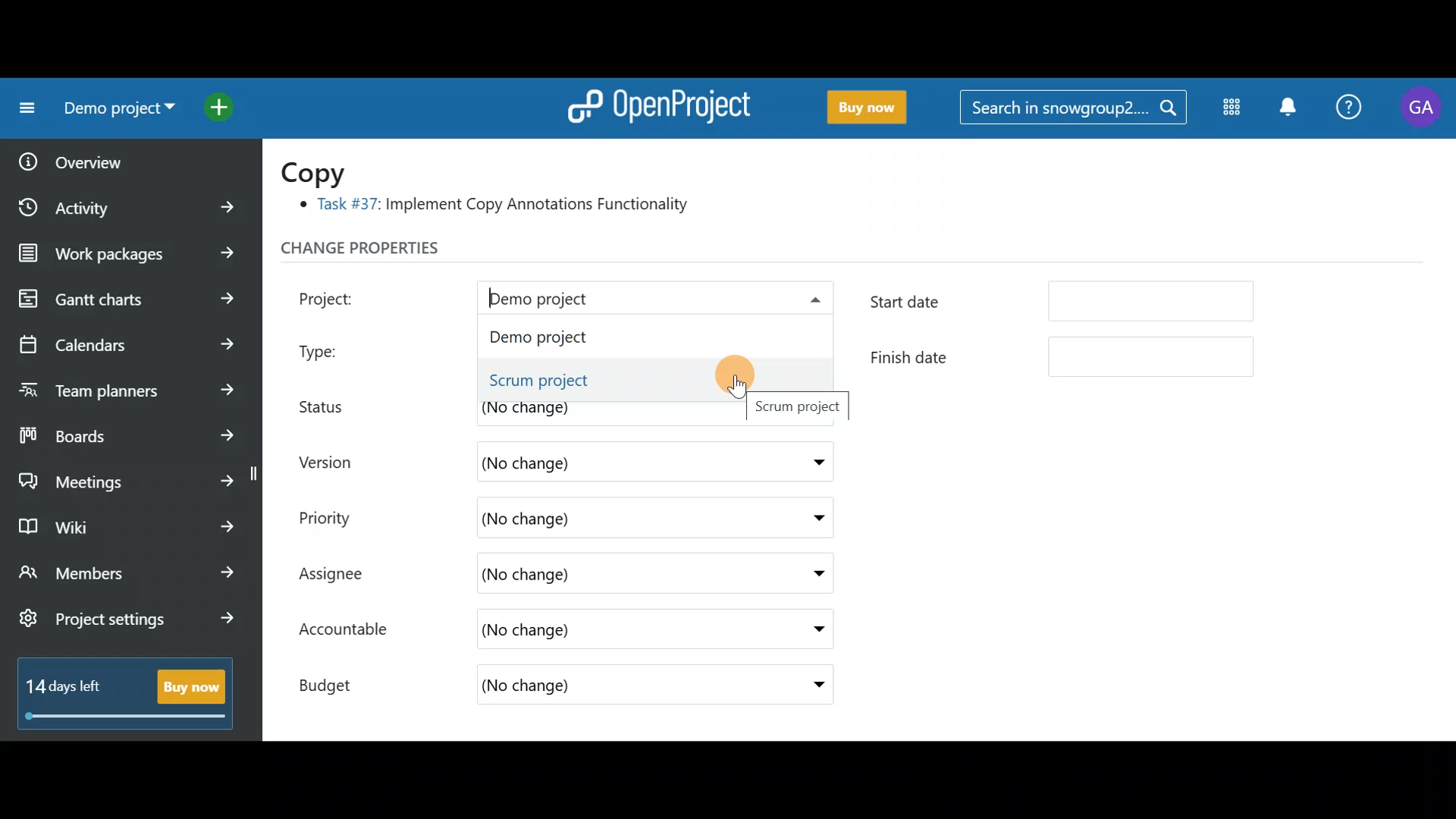 The image size is (1456, 819). What do you see at coordinates (599, 576) in the screenshot?
I see `(No change)` at bounding box center [599, 576].